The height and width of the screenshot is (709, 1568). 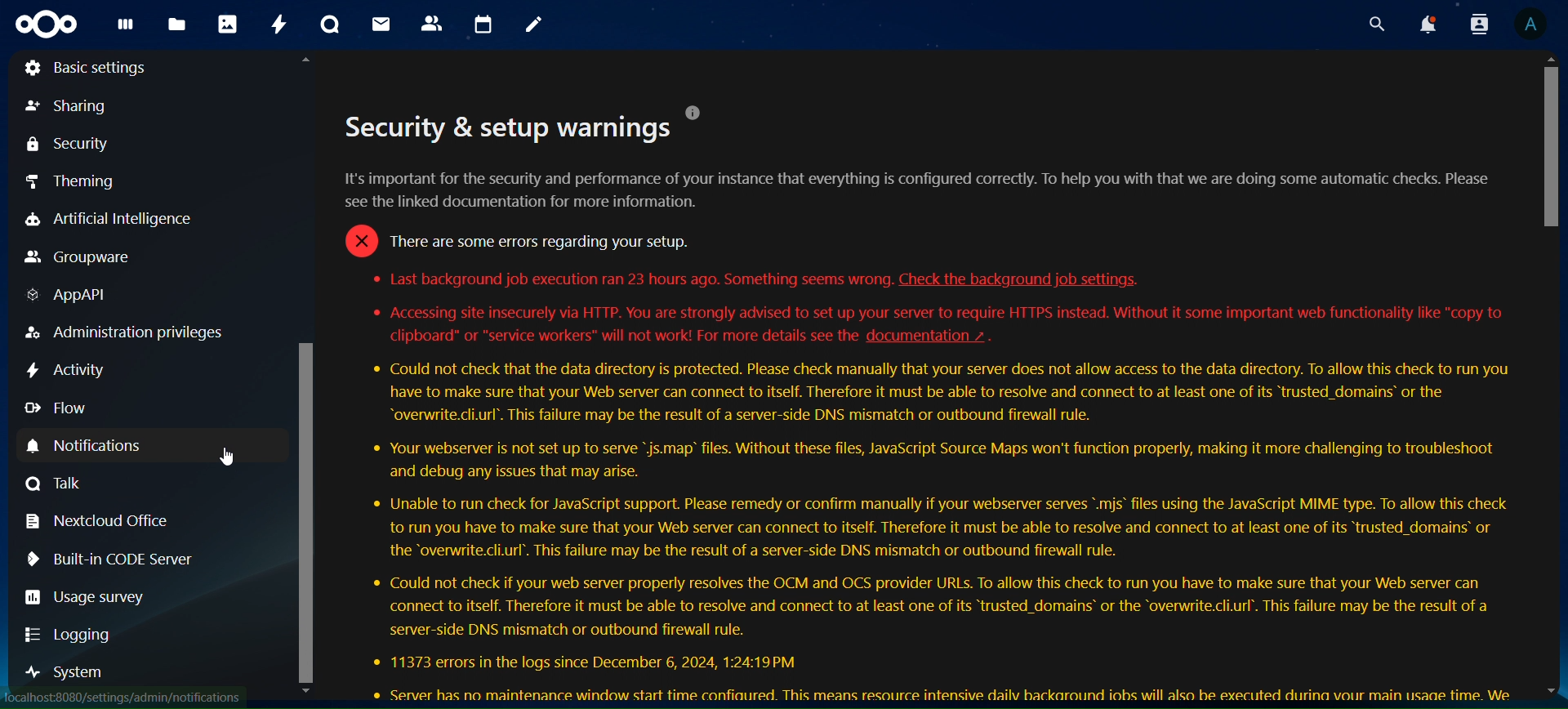 What do you see at coordinates (52, 409) in the screenshot?
I see `flow` at bounding box center [52, 409].